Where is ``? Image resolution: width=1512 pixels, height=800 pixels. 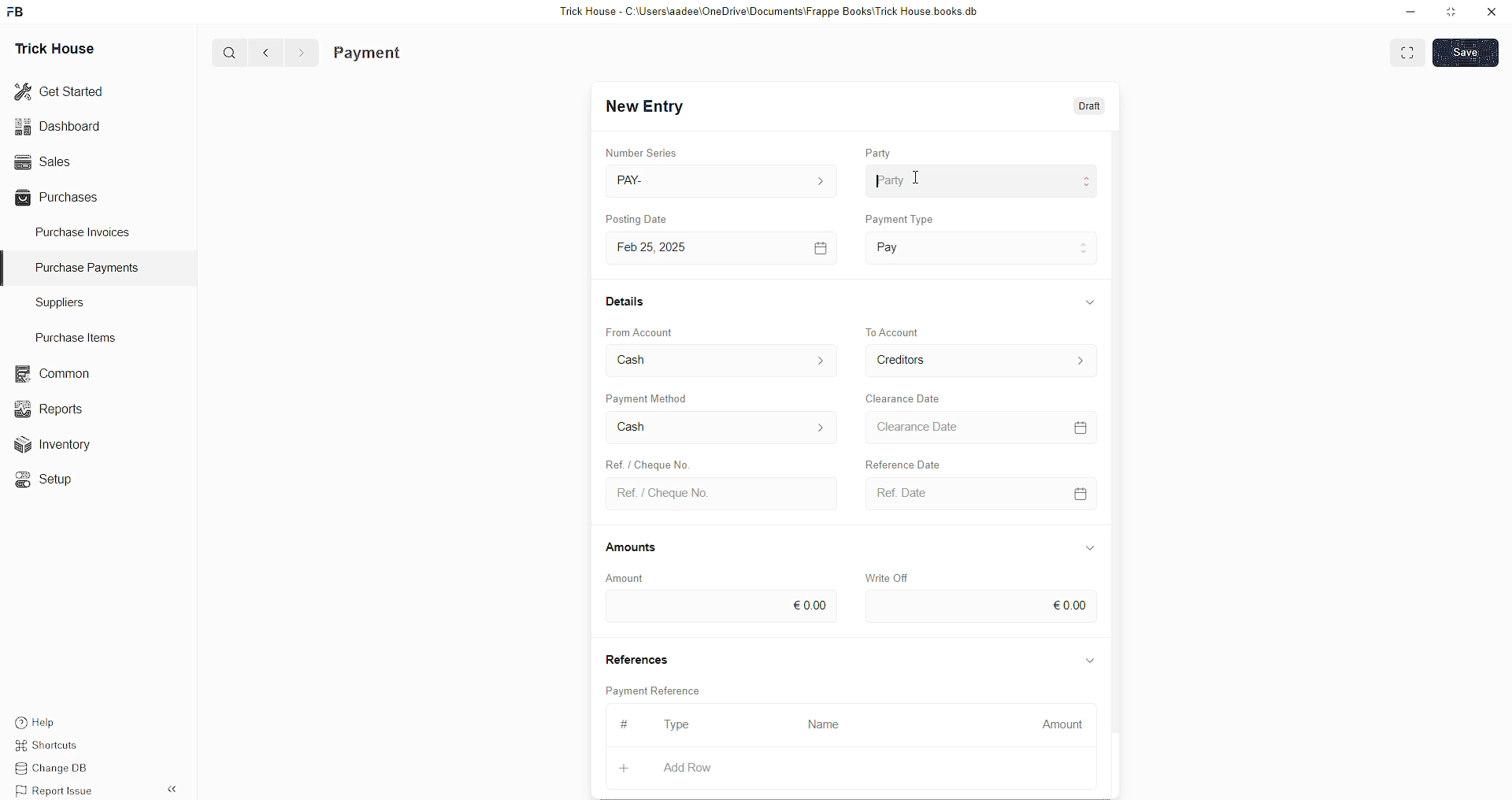  is located at coordinates (1091, 547).